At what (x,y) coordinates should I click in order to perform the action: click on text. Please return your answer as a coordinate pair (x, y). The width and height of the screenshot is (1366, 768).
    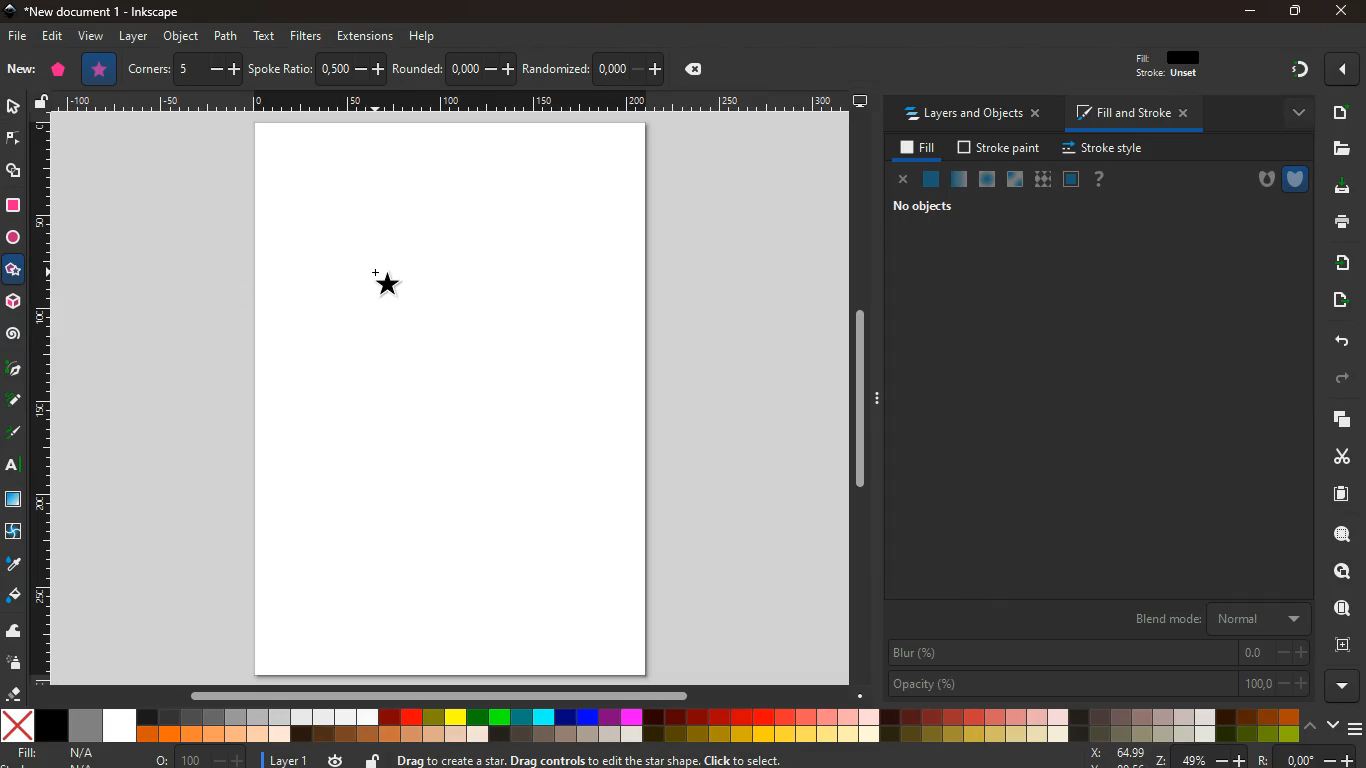
    Looking at the image, I should click on (266, 36).